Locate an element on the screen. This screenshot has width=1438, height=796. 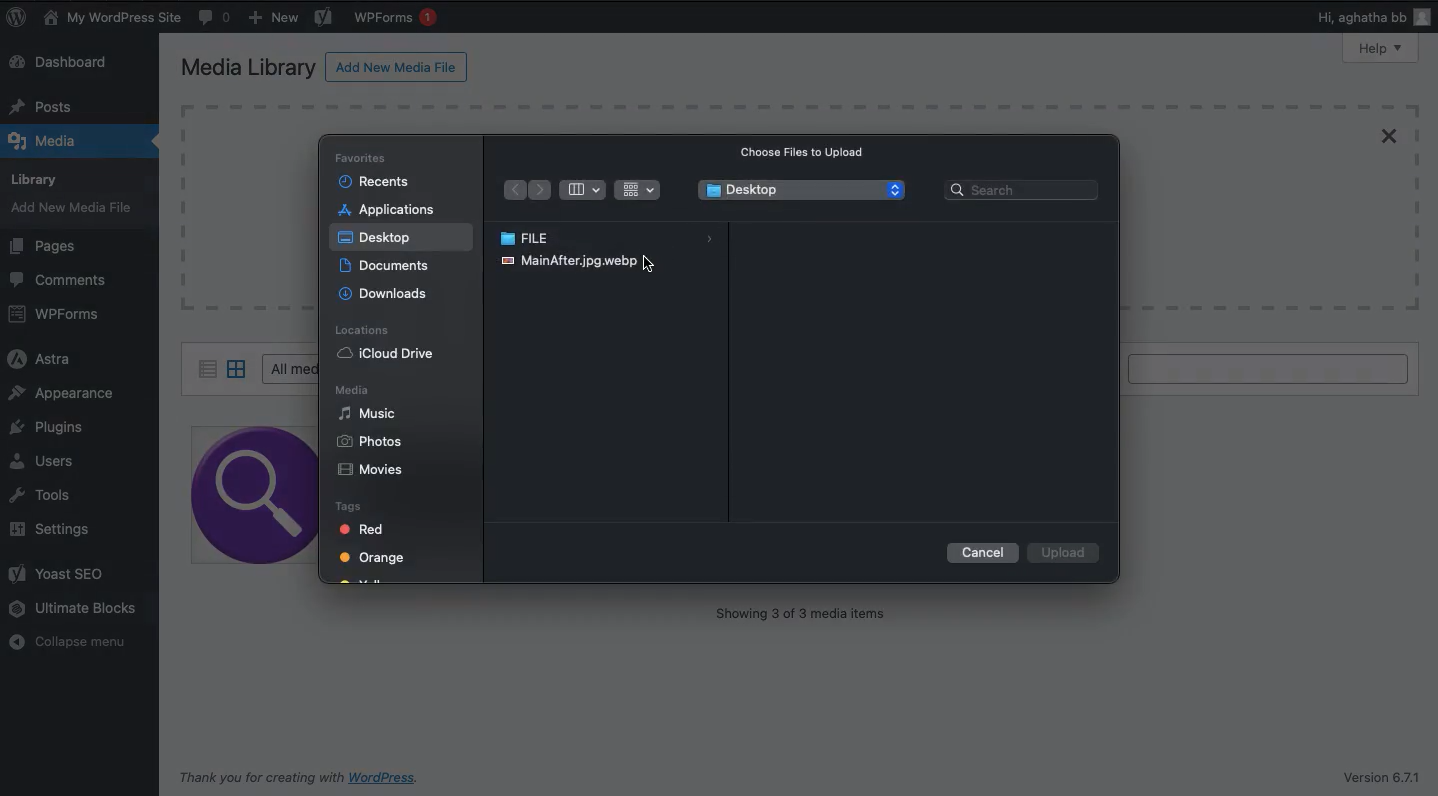
image 1 is located at coordinates (251, 495).